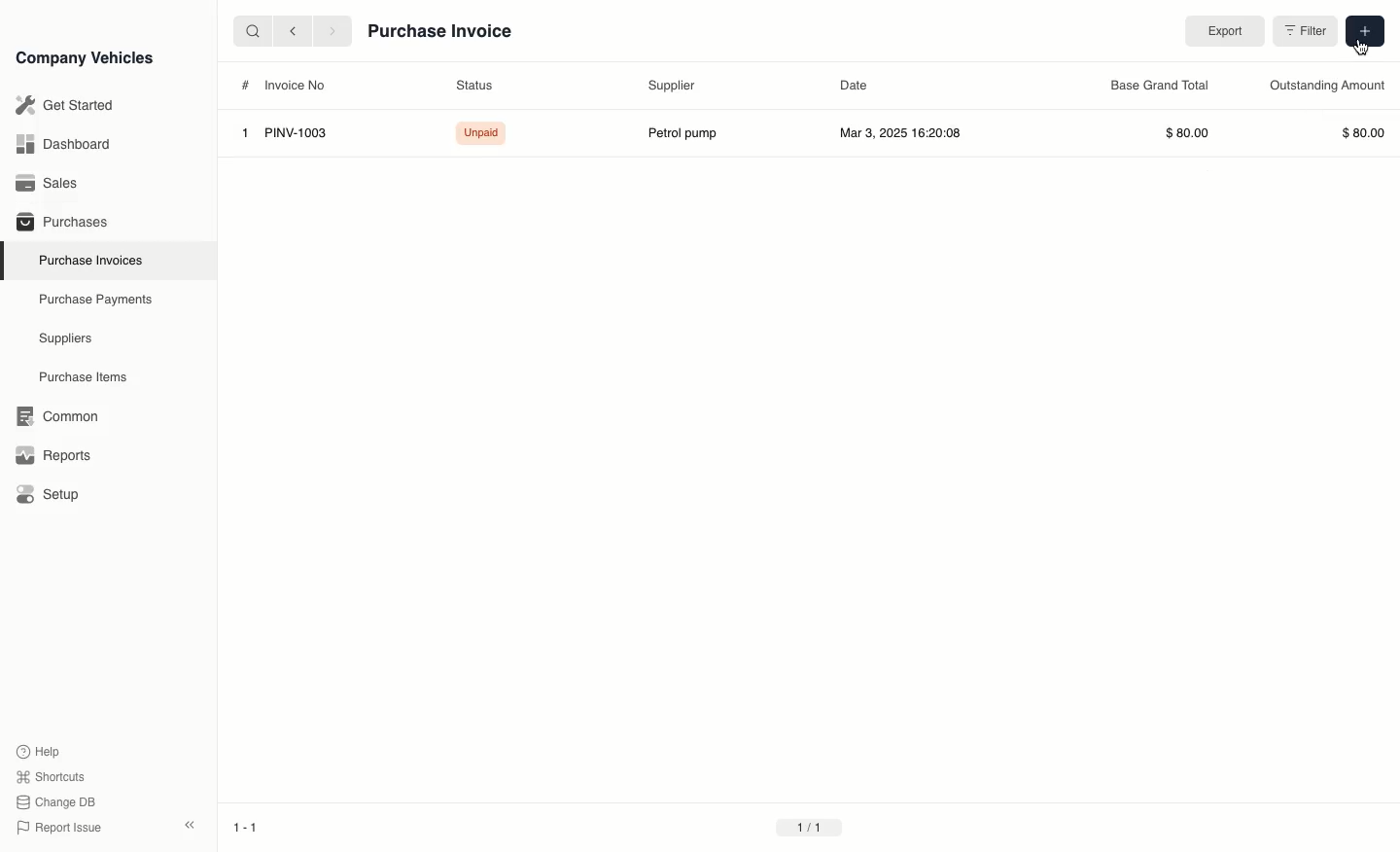 The height and width of the screenshot is (852, 1400). Describe the element at coordinates (85, 57) in the screenshot. I see `Company Vehicles` at that location.